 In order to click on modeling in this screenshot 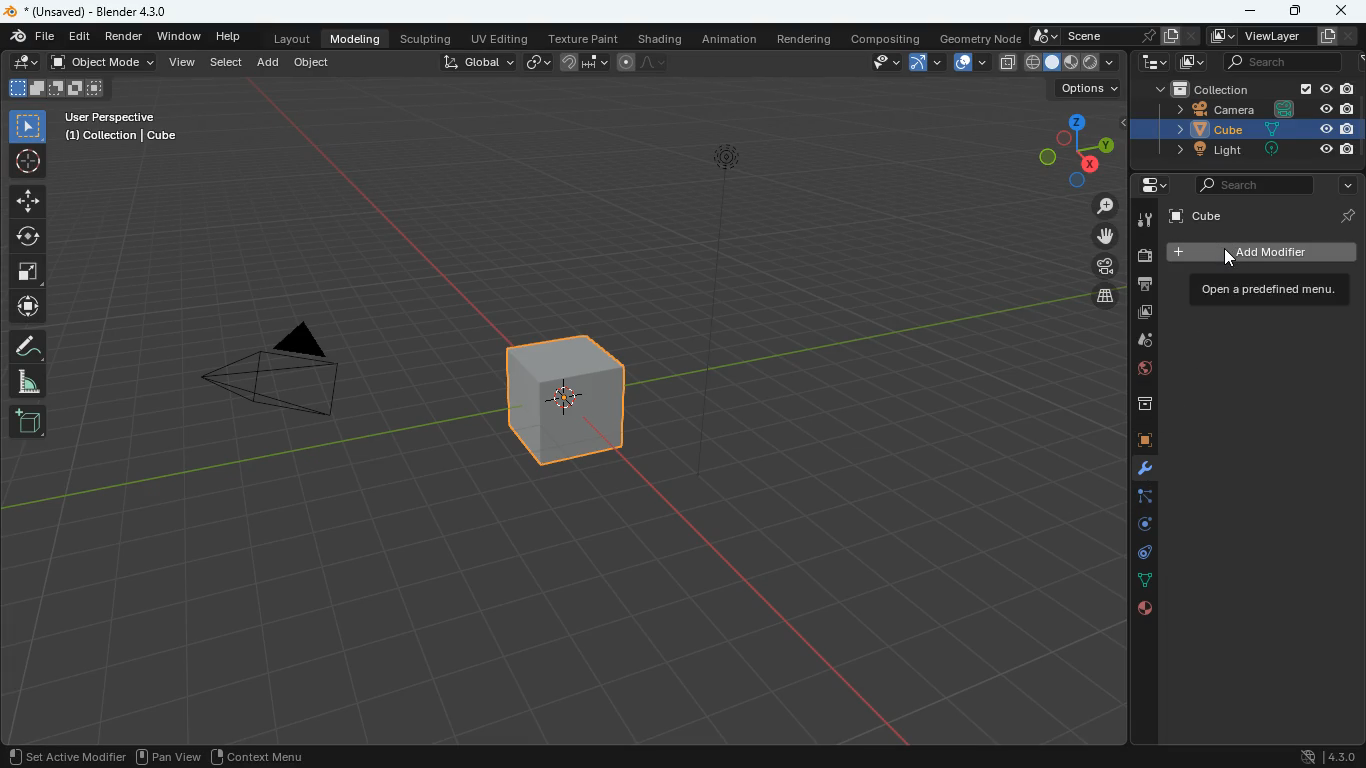, I will do `click(354, 39)`.